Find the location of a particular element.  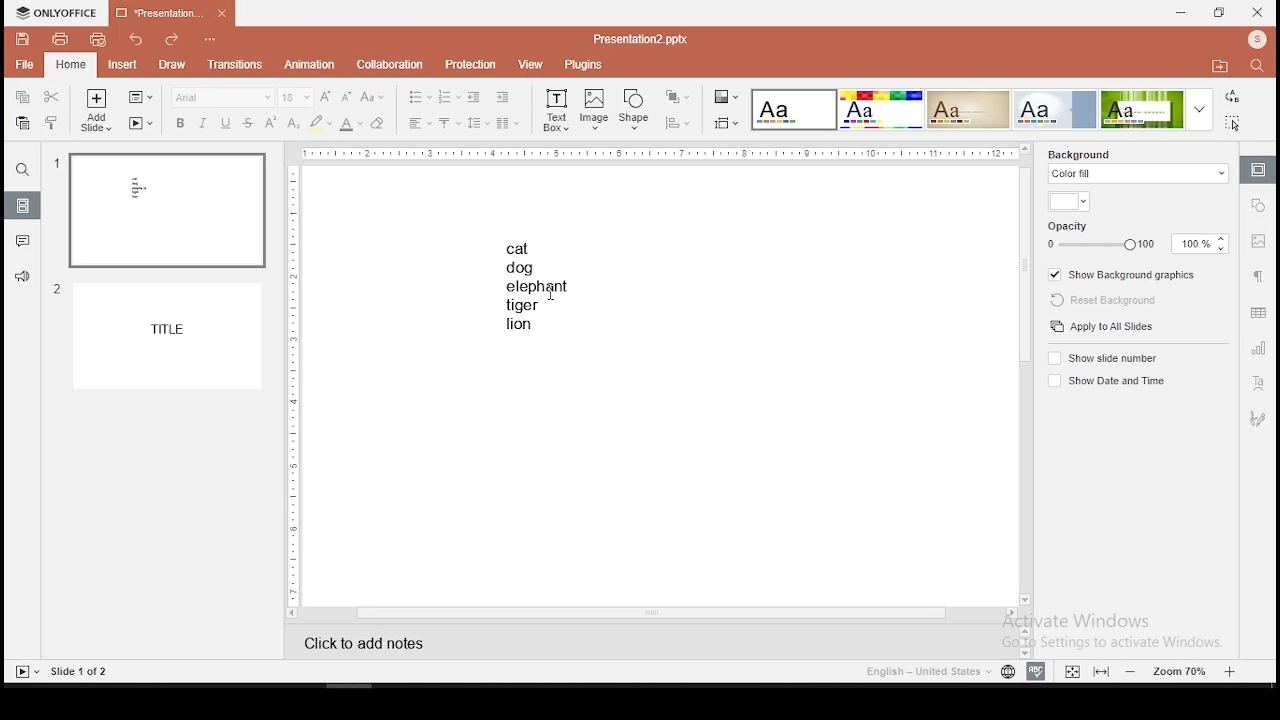

theme  is located at coordinates (1057, 109).